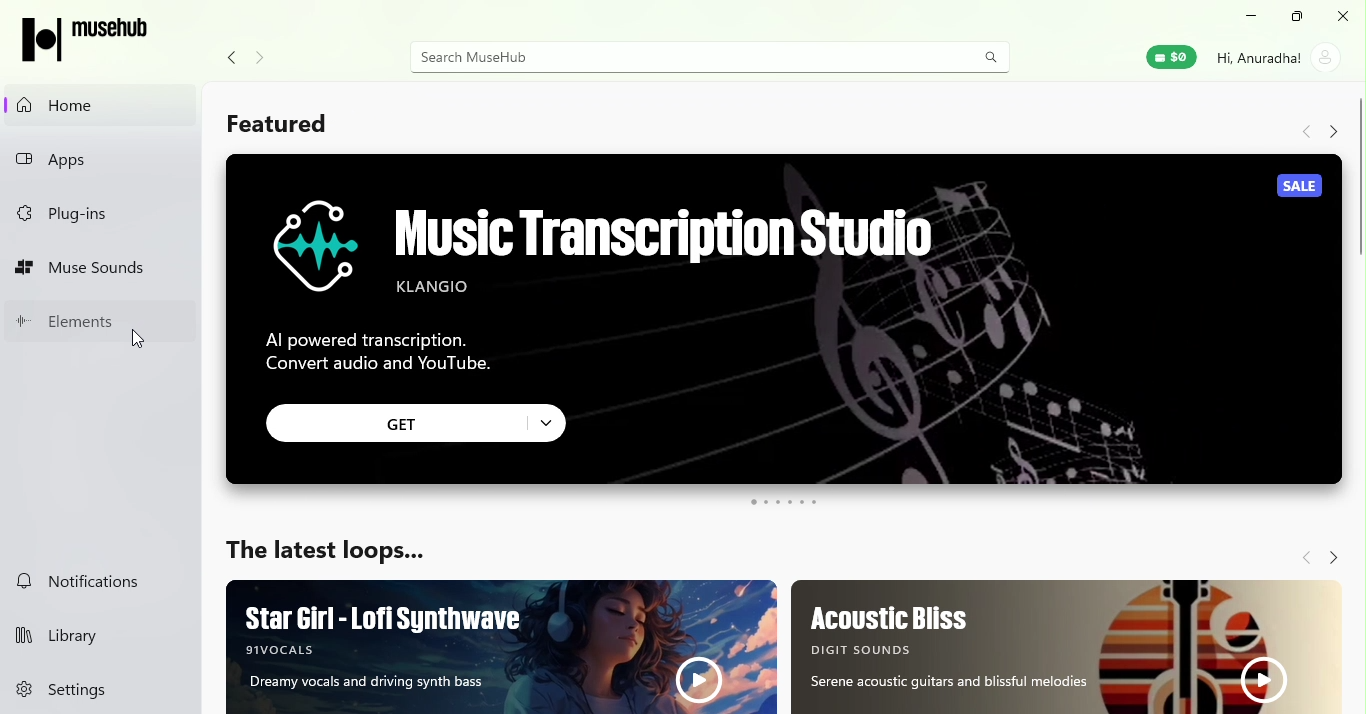 This screenshot has height=714, width=1366. I want to click on Ad, so click(500, 643).